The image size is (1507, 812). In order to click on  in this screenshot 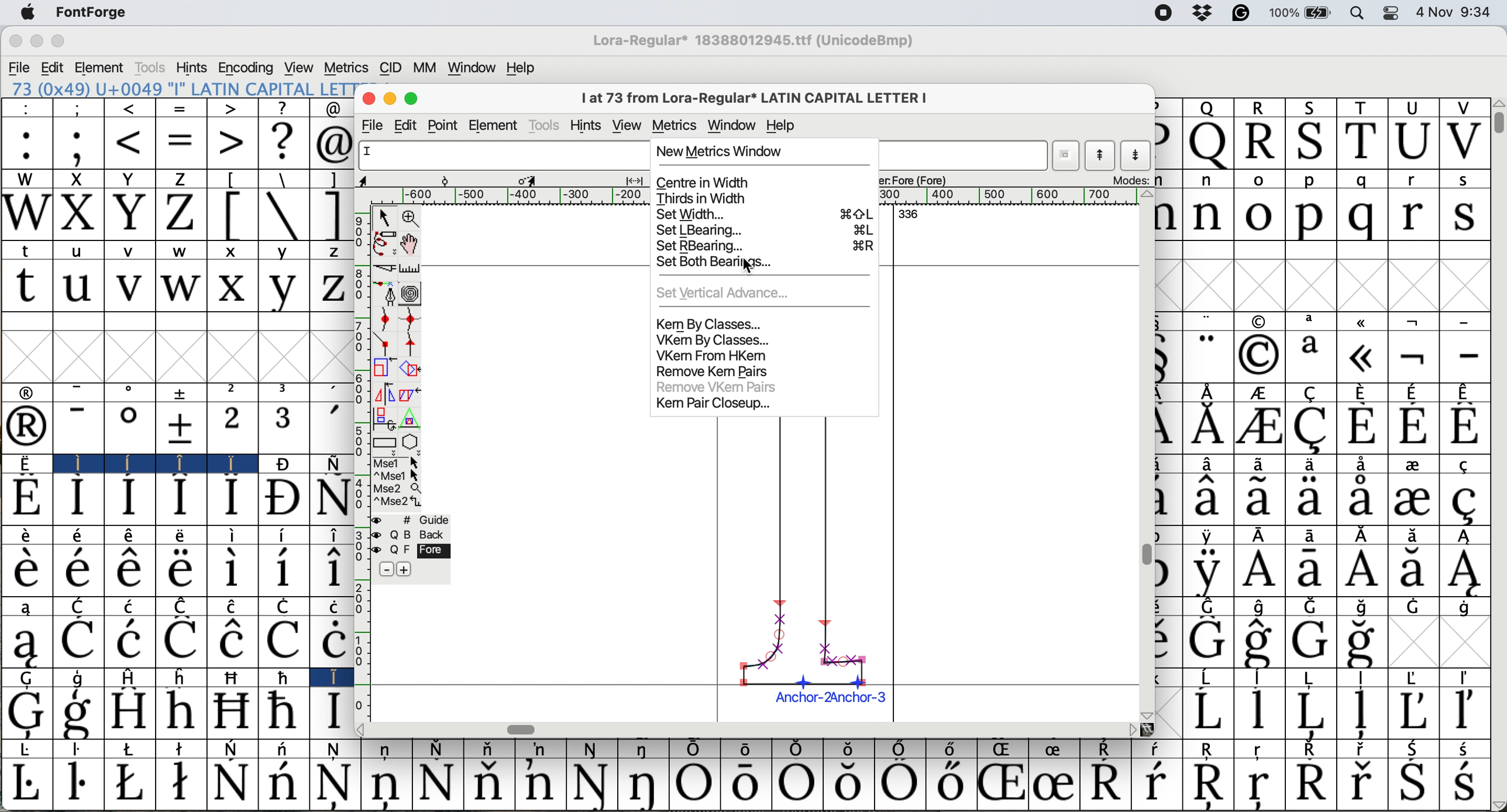, I will do `click(1312, 393)`.